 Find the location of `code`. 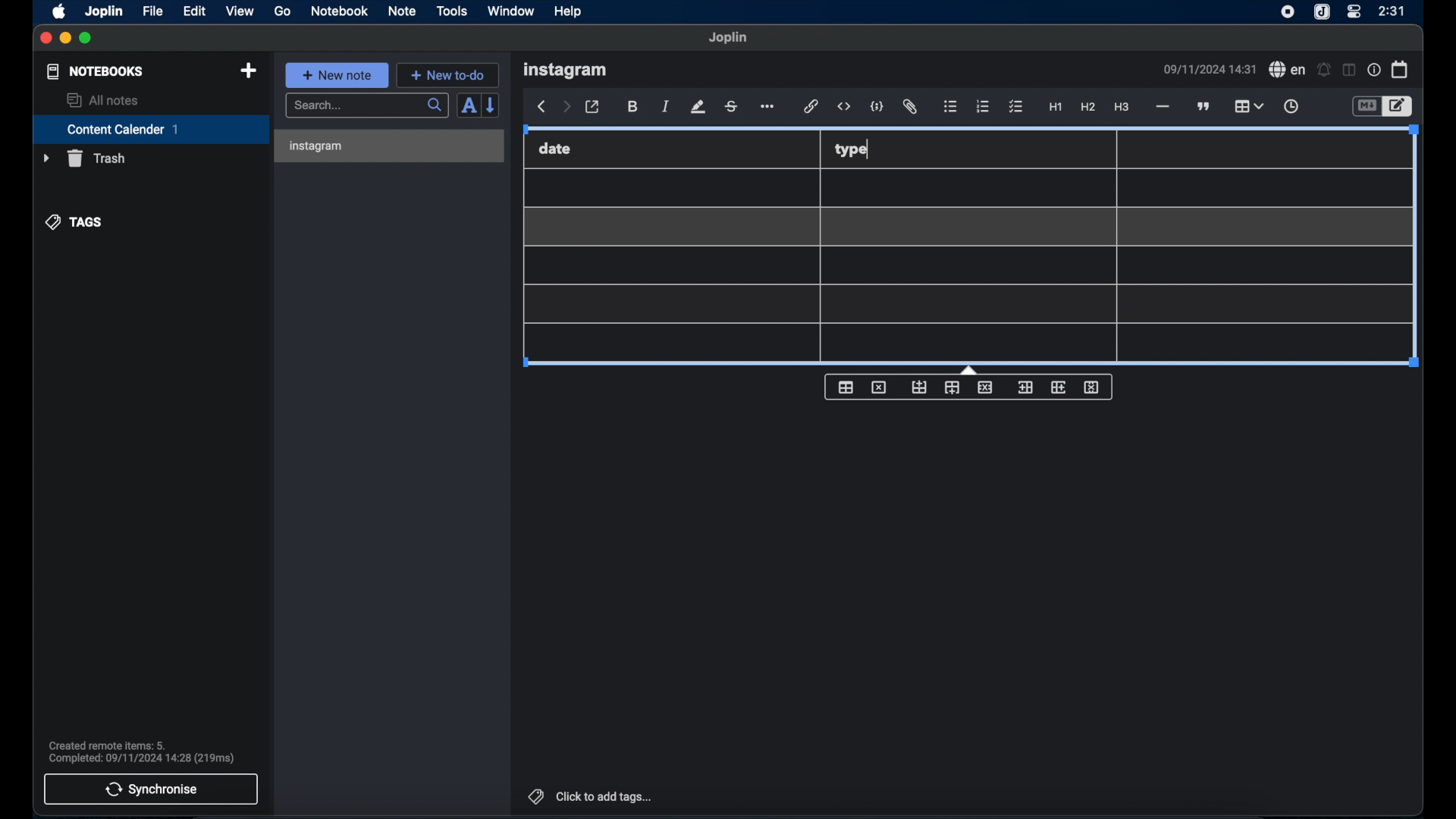

code is located at coordinates (876, 106).